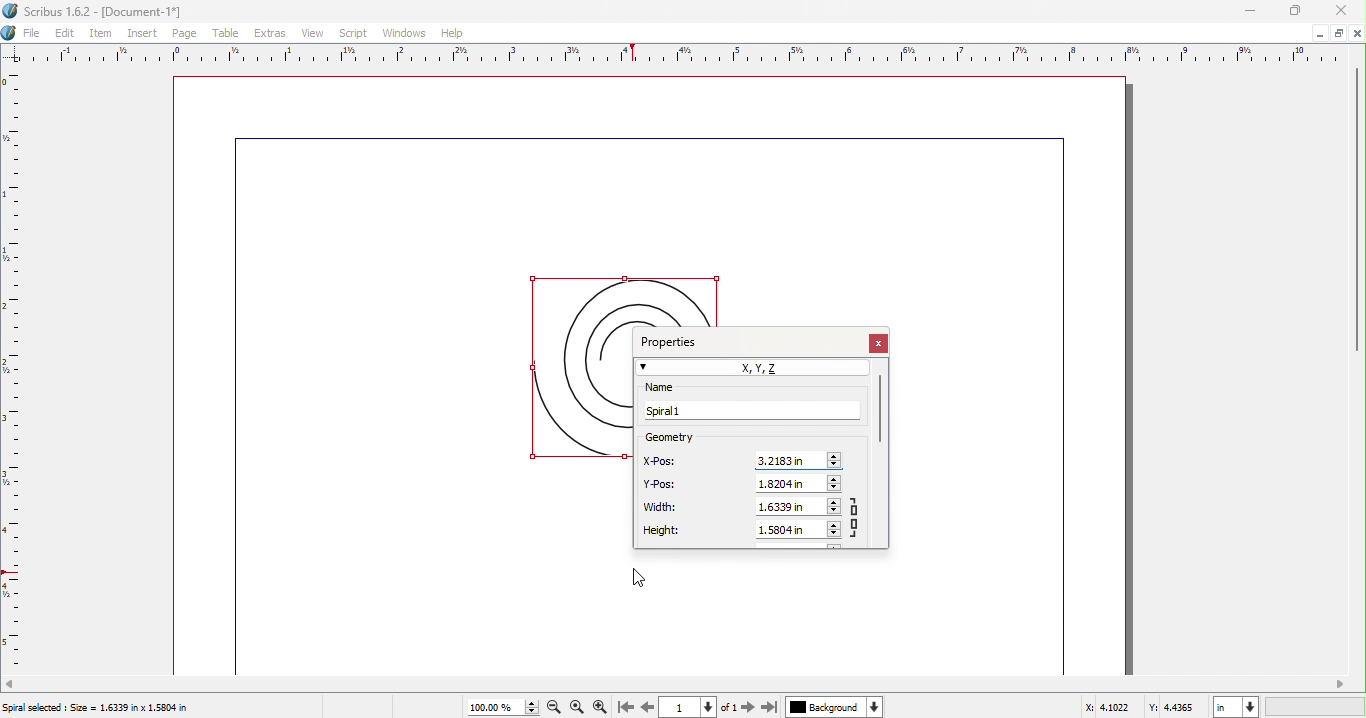  I want to click on decrease zoom , so click(531, 713).